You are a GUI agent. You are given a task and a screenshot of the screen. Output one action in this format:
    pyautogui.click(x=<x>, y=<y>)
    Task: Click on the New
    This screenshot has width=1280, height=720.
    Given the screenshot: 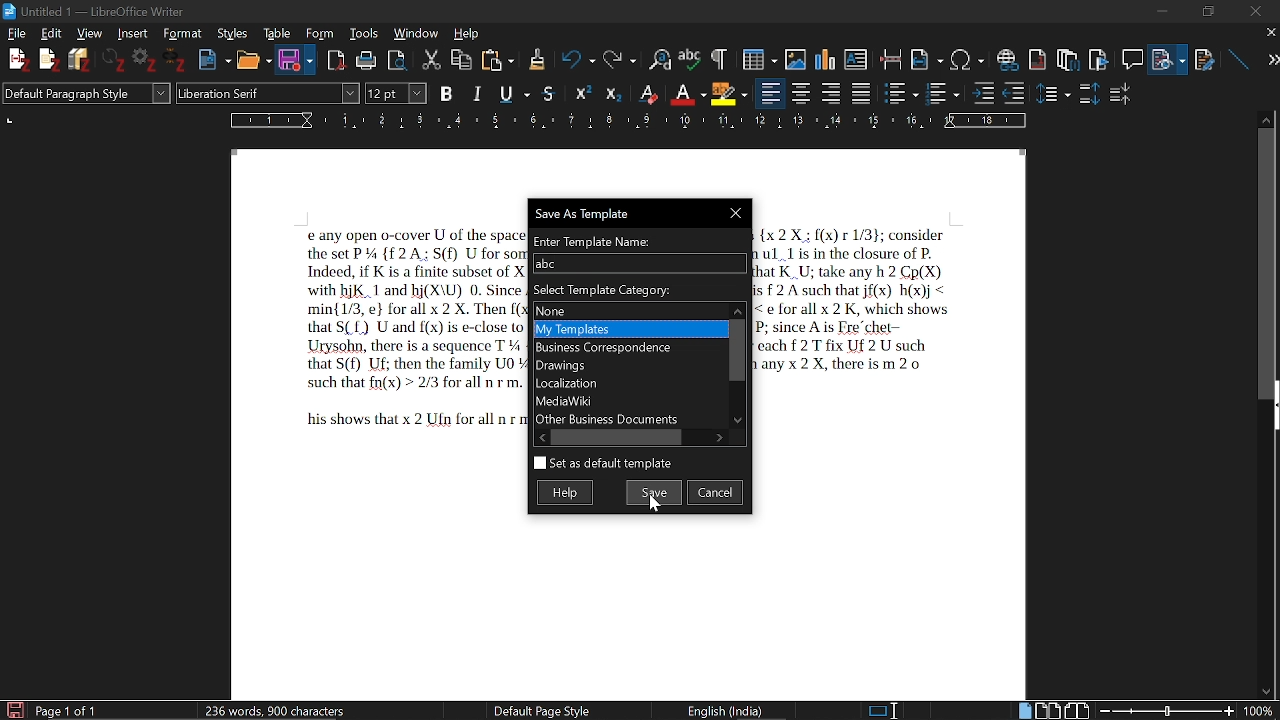 What is the action you would take?
    pyautogui.click(x=214, y=58)
    